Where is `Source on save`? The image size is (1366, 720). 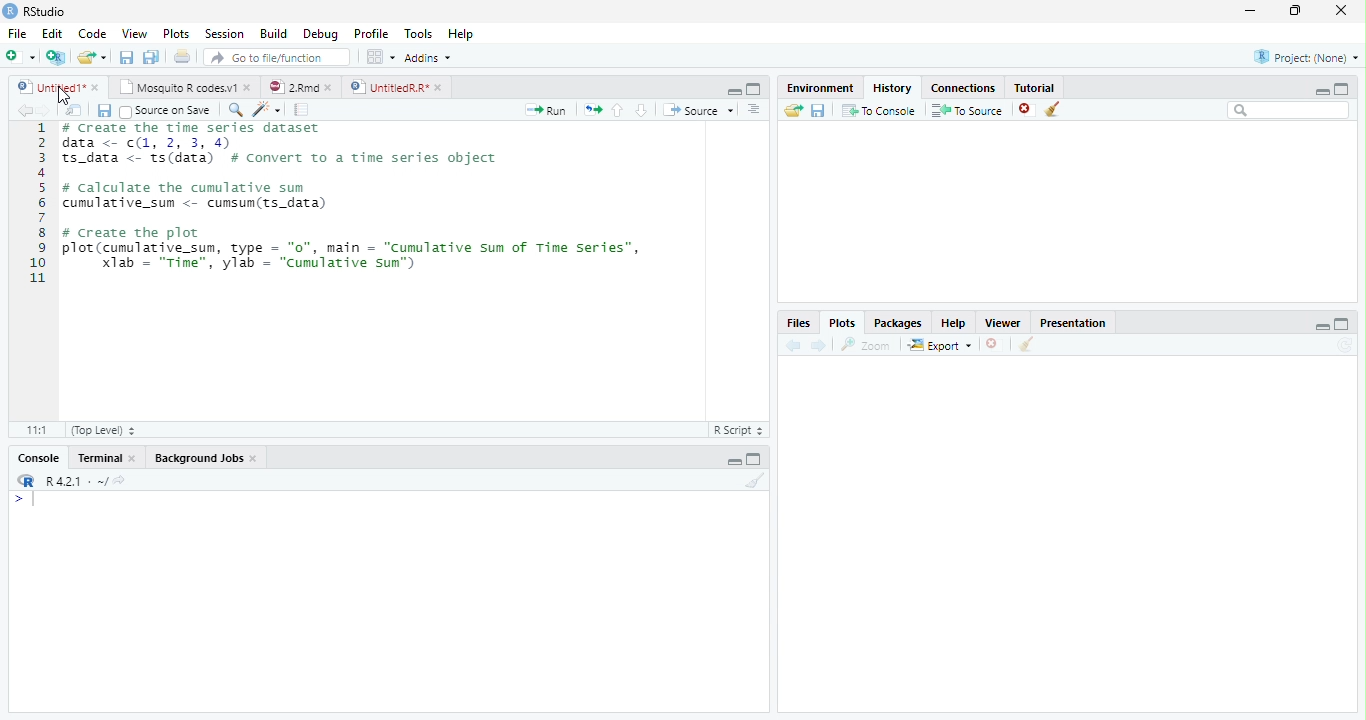
Source on save is located at coordinates (167, 112).